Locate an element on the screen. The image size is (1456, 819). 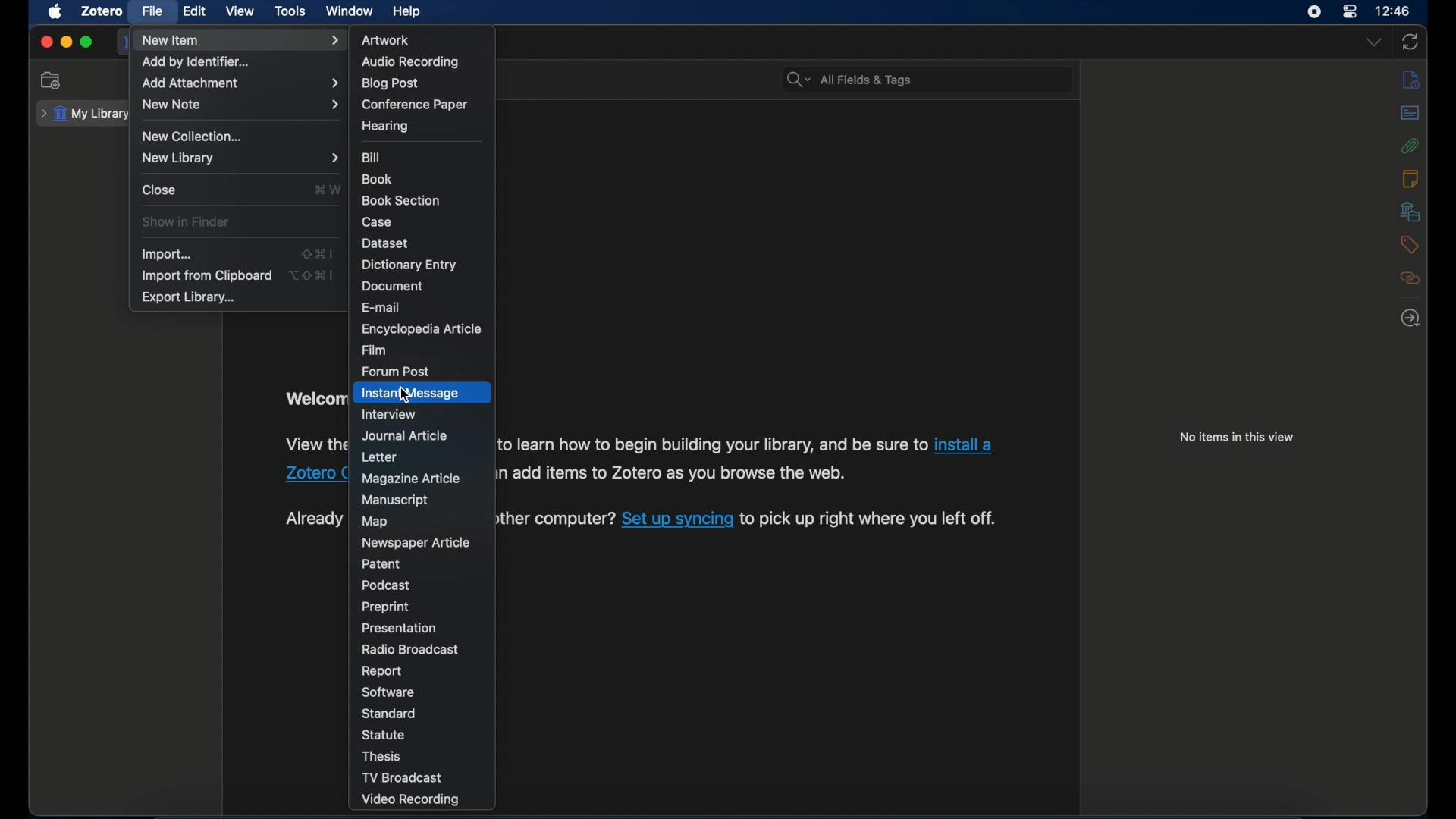
map is located at coordinates (375, 522).